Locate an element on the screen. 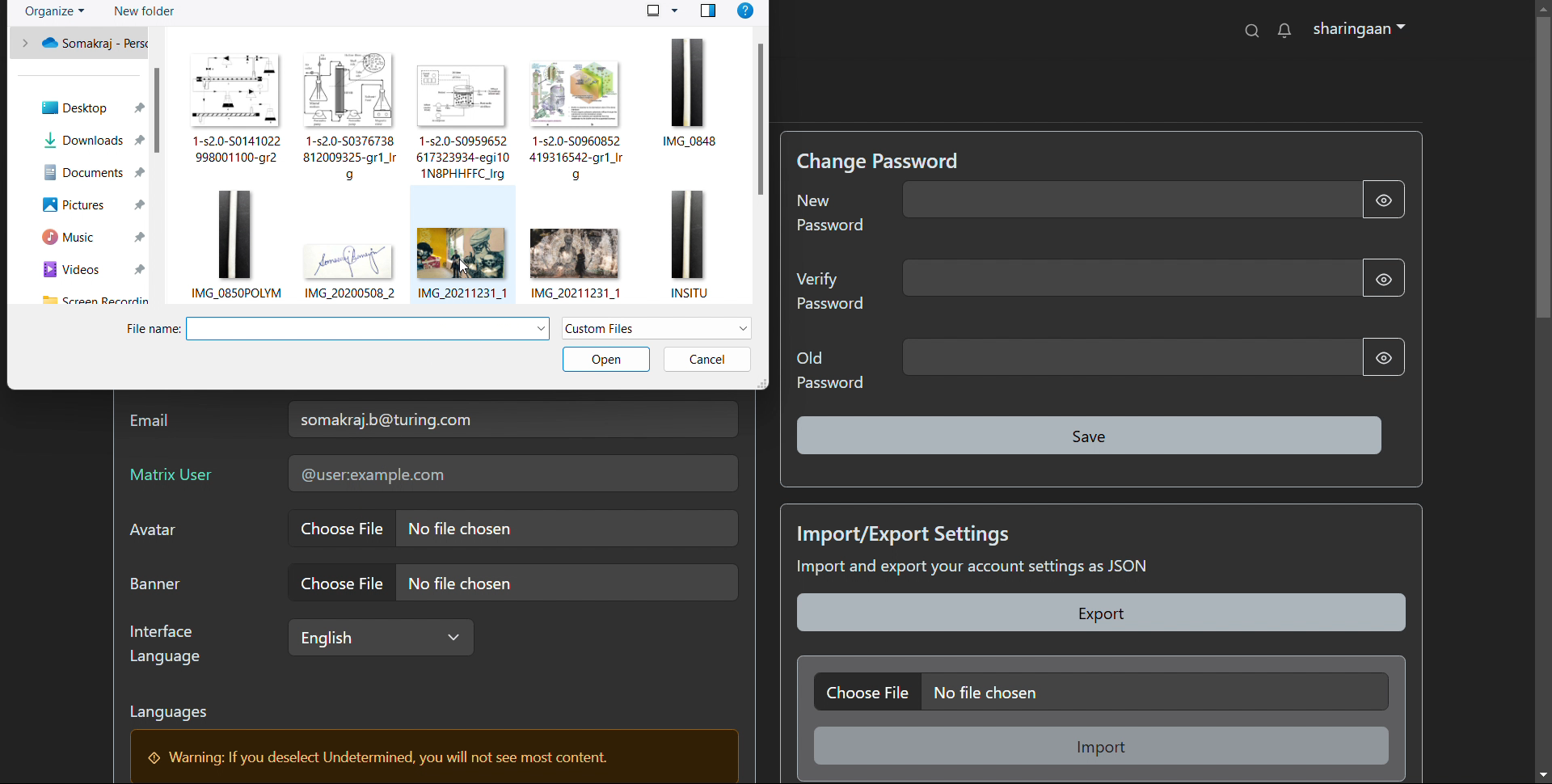 The height and width of the screenshot is (784, 1552). email is located at coordinates (512, 419).